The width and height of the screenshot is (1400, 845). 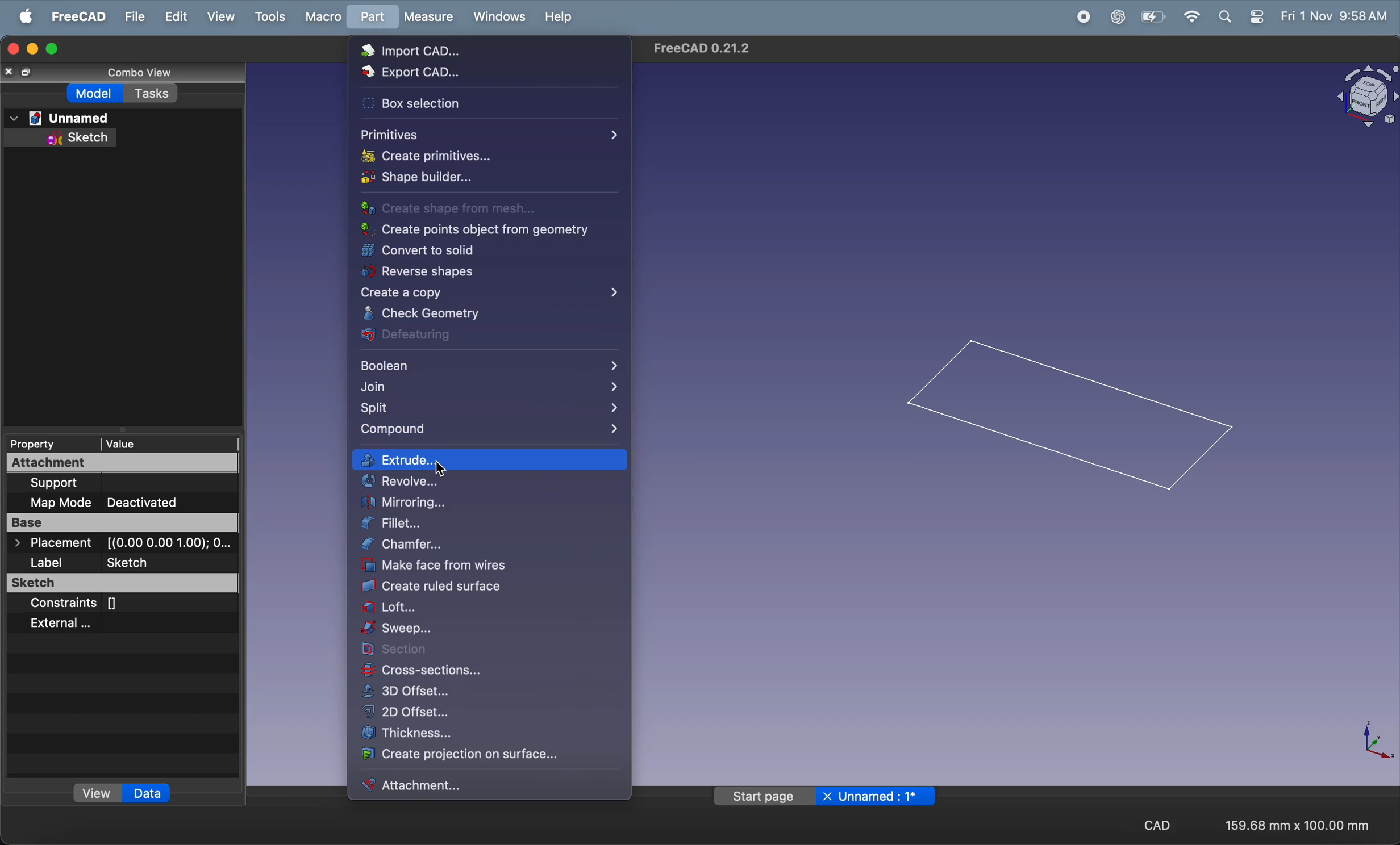 I want to click on revolve, so click(x=492, y=482).